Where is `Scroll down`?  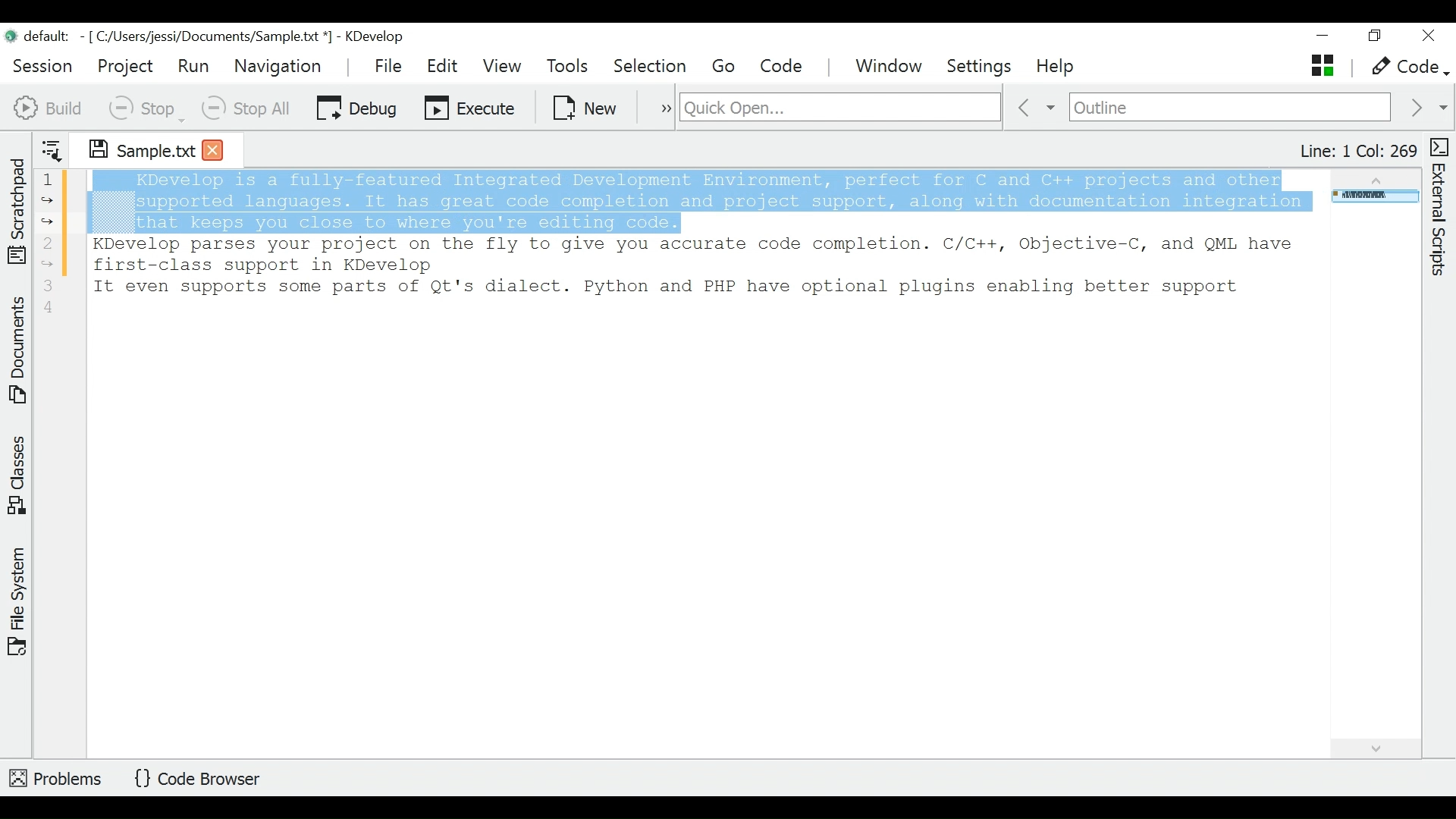 Scroll down is located at coordinates (1374, 746).